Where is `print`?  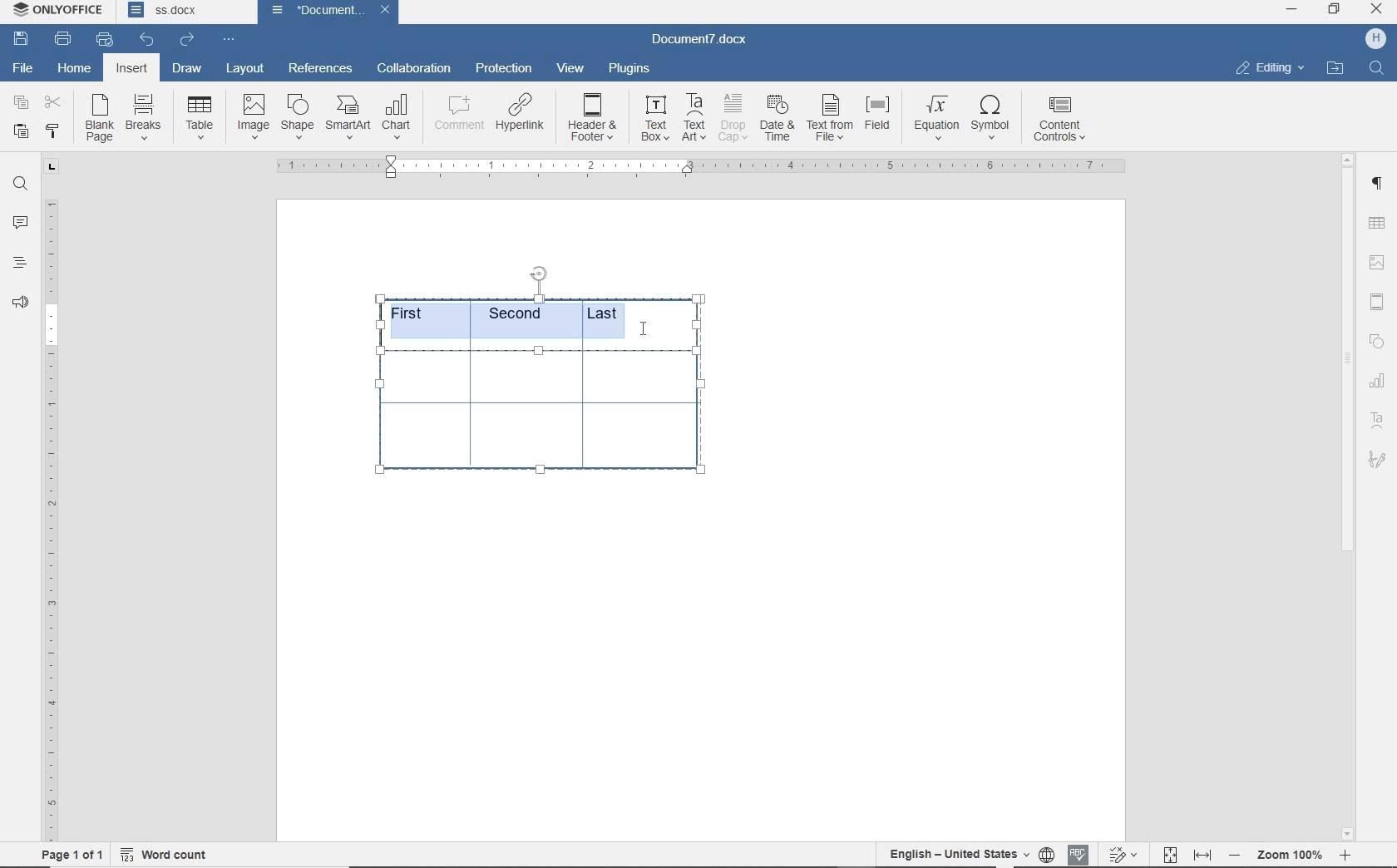
print is located at coordinates (63, 38).